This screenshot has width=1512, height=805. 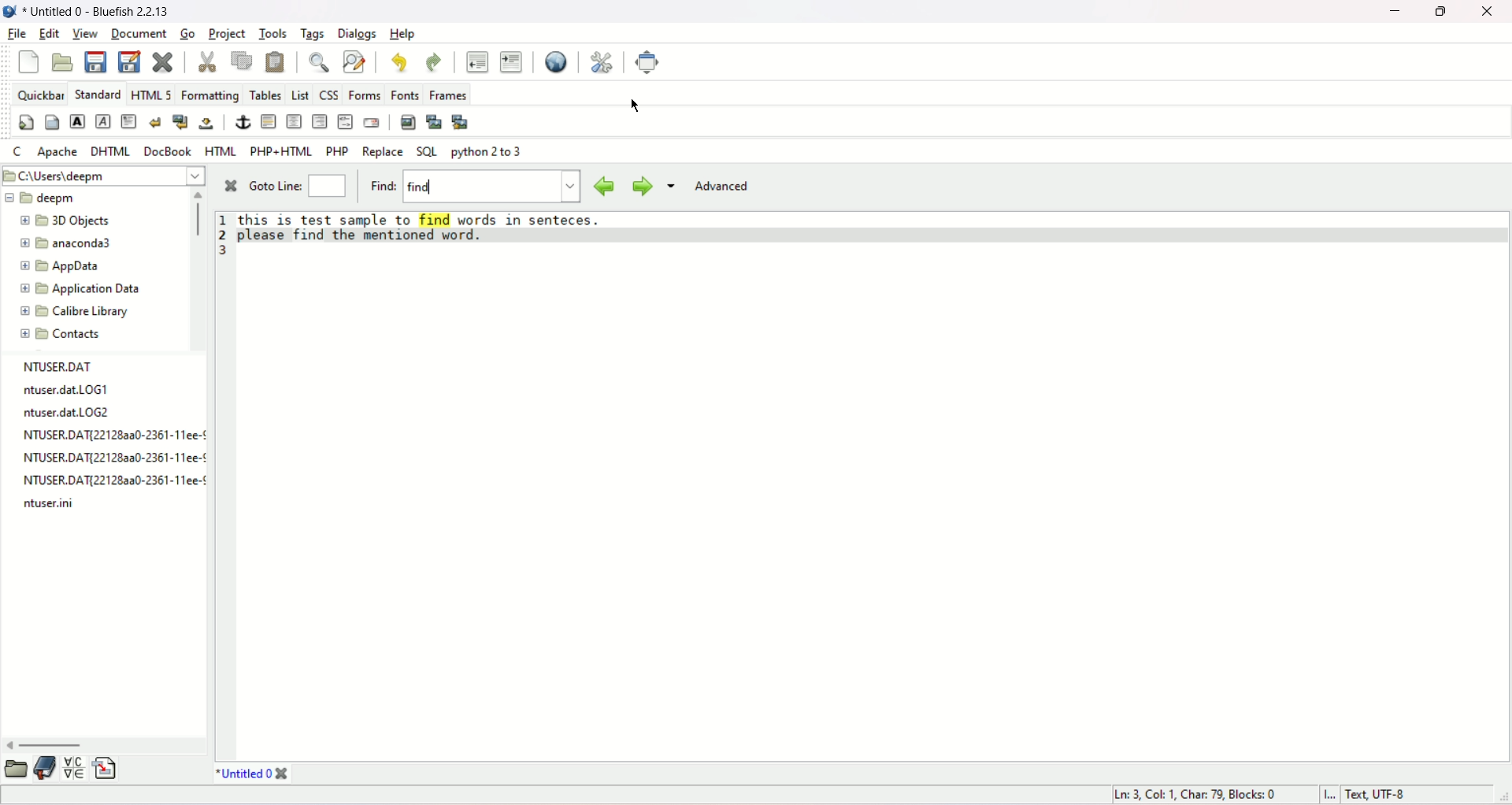 What do you see at coordinates (272, 32) in the screenshot?
I see `tools` at bounding box center [272, 32].